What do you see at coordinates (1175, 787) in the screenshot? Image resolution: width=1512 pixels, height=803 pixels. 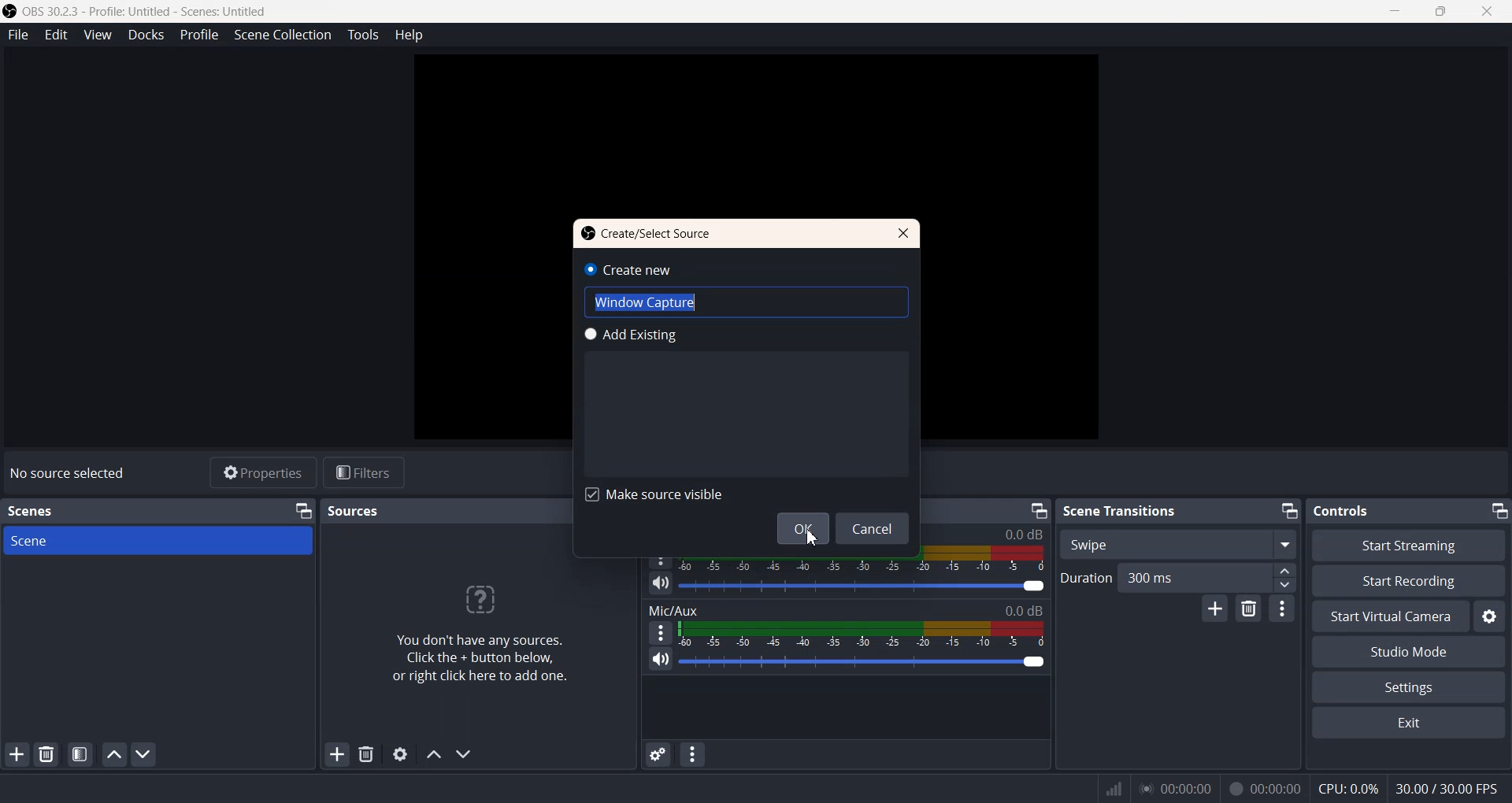 I see `00:00:00` at bounding box center [1175, 787].